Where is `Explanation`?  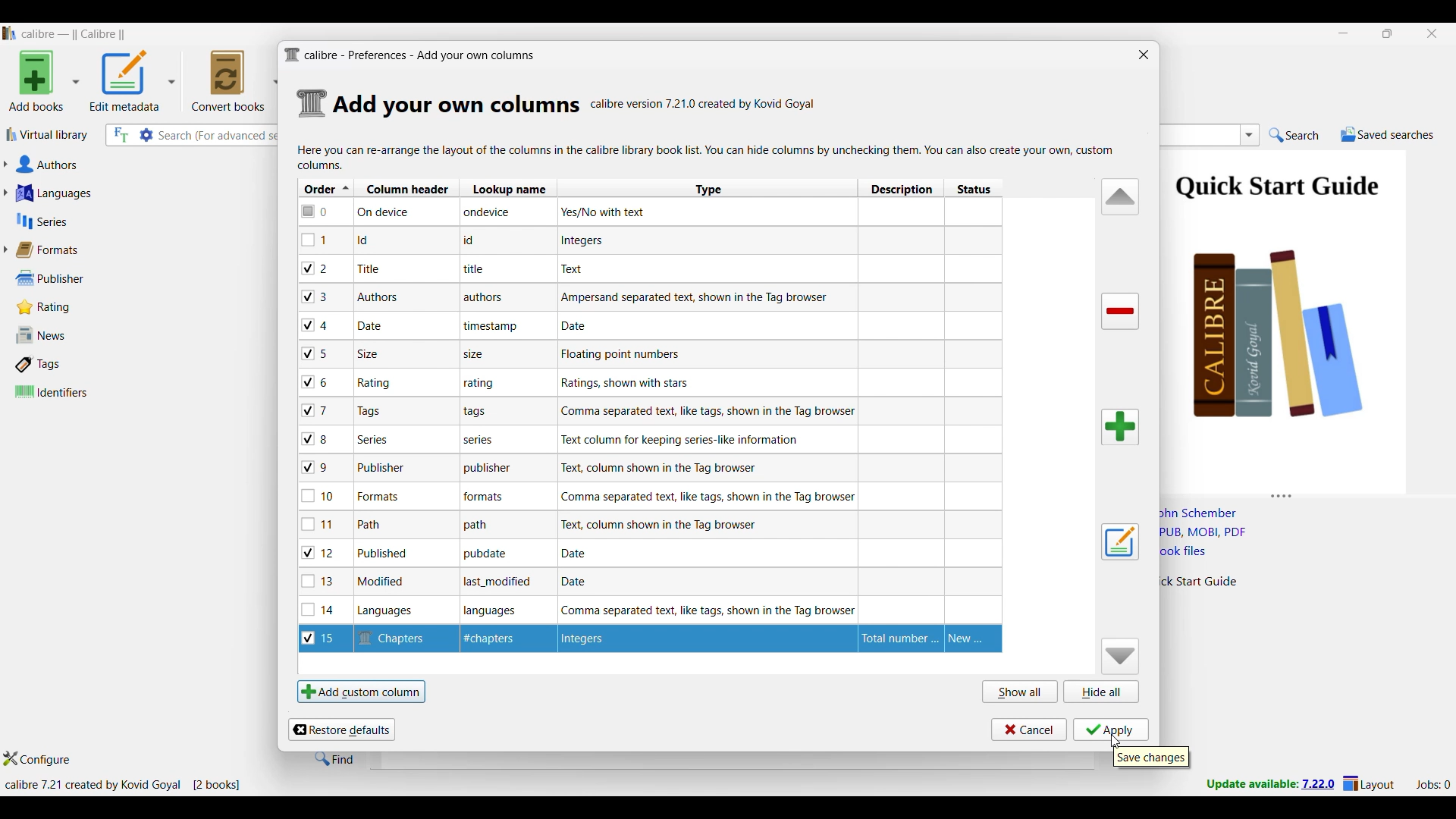 Explanation is located at coordinates (708, 496).